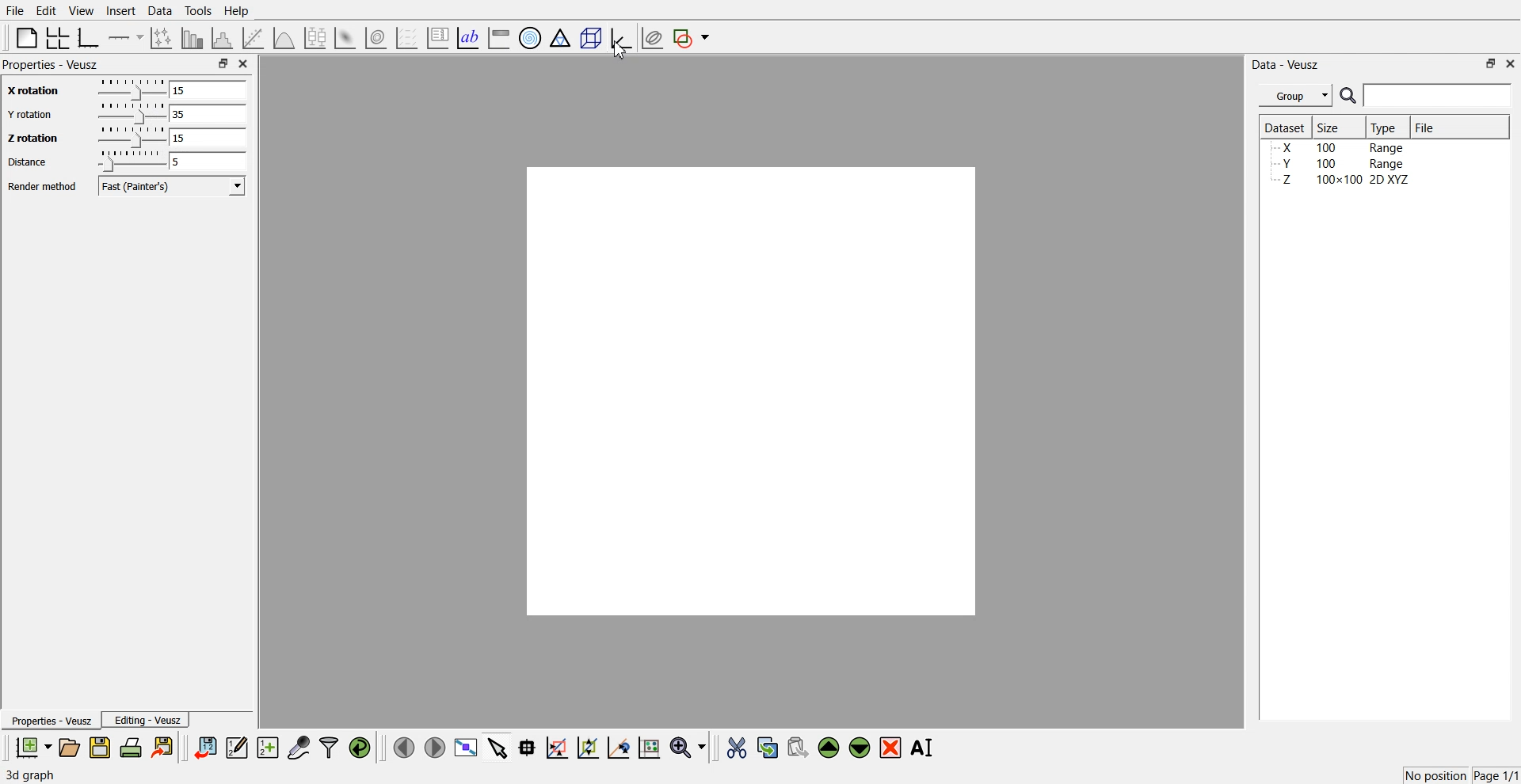 This screenshot has width=1521, height=784. I want to click on Remove the selected widget, so click(890, 748).